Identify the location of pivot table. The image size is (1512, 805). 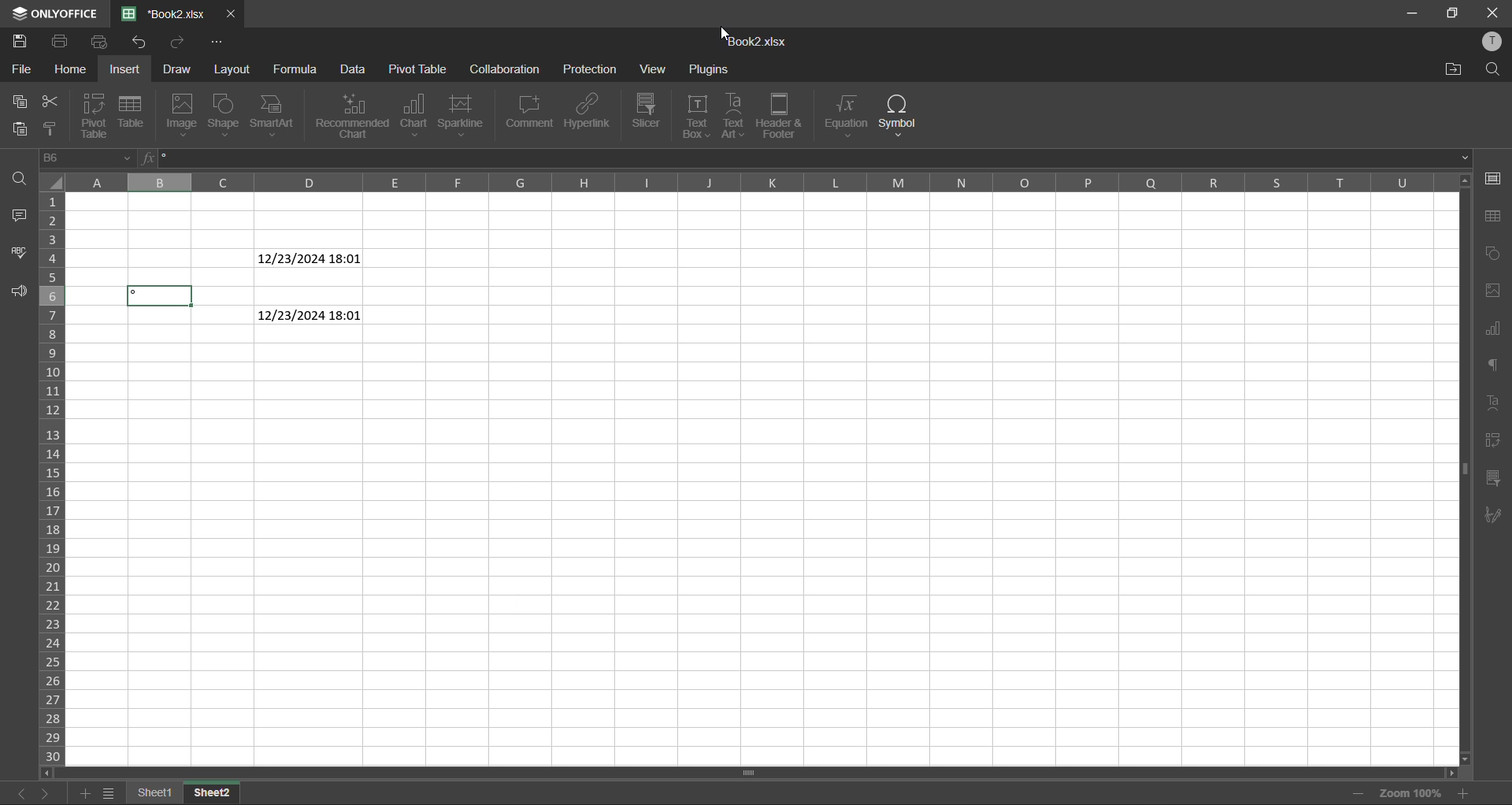
(94, 116).